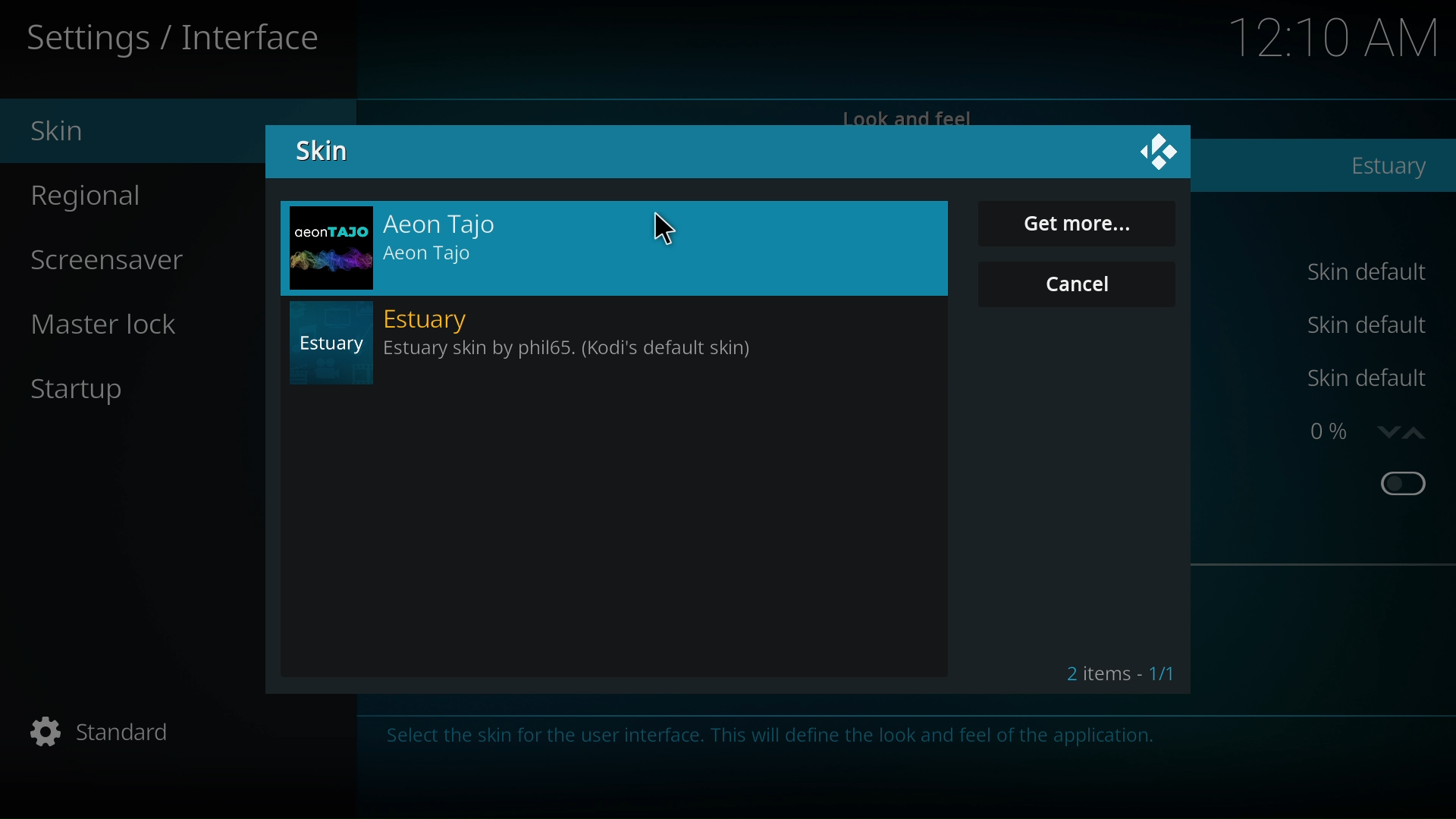 This screenshot has width=1456, height=819. What do you see at coordinates (1367, 273) in the screenshot?
I see `Skin default` at bounding box center [1367, 273].